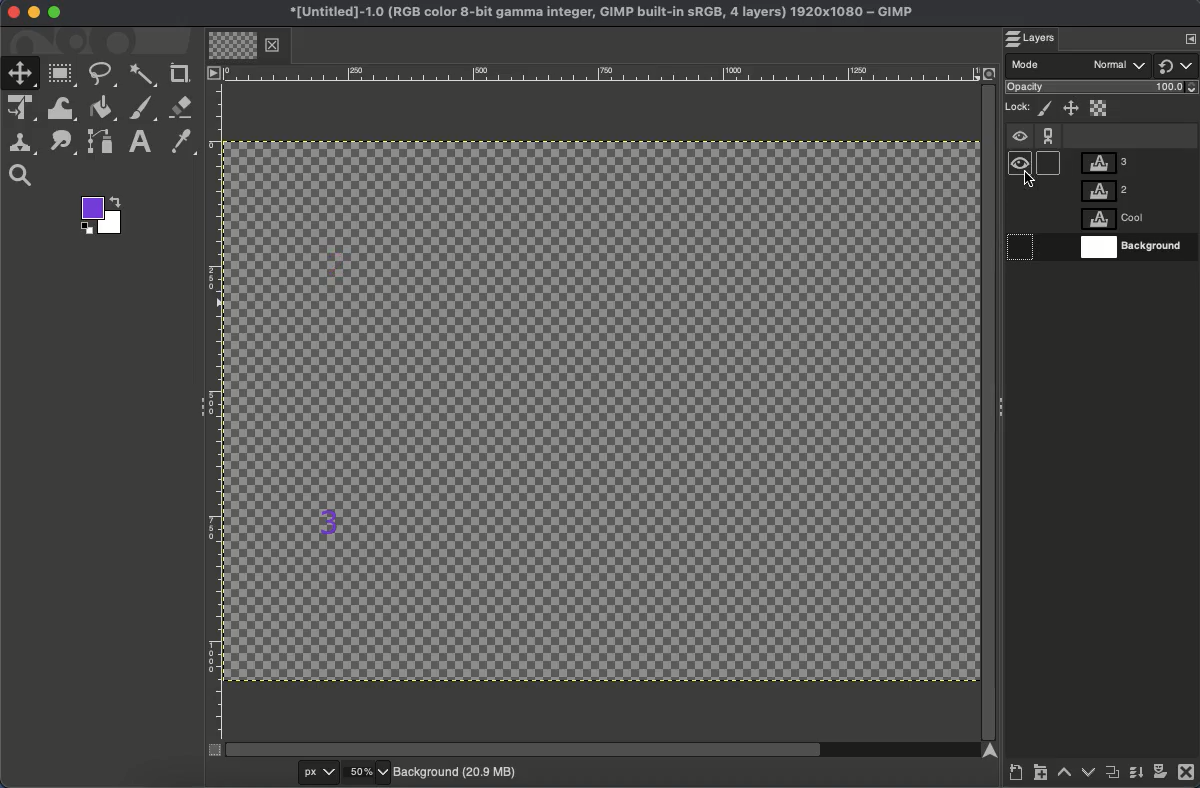 Image resolution: width=1200 pixels, height=788 pixels. I want to click on Create new layer group, so click(1041, 776).